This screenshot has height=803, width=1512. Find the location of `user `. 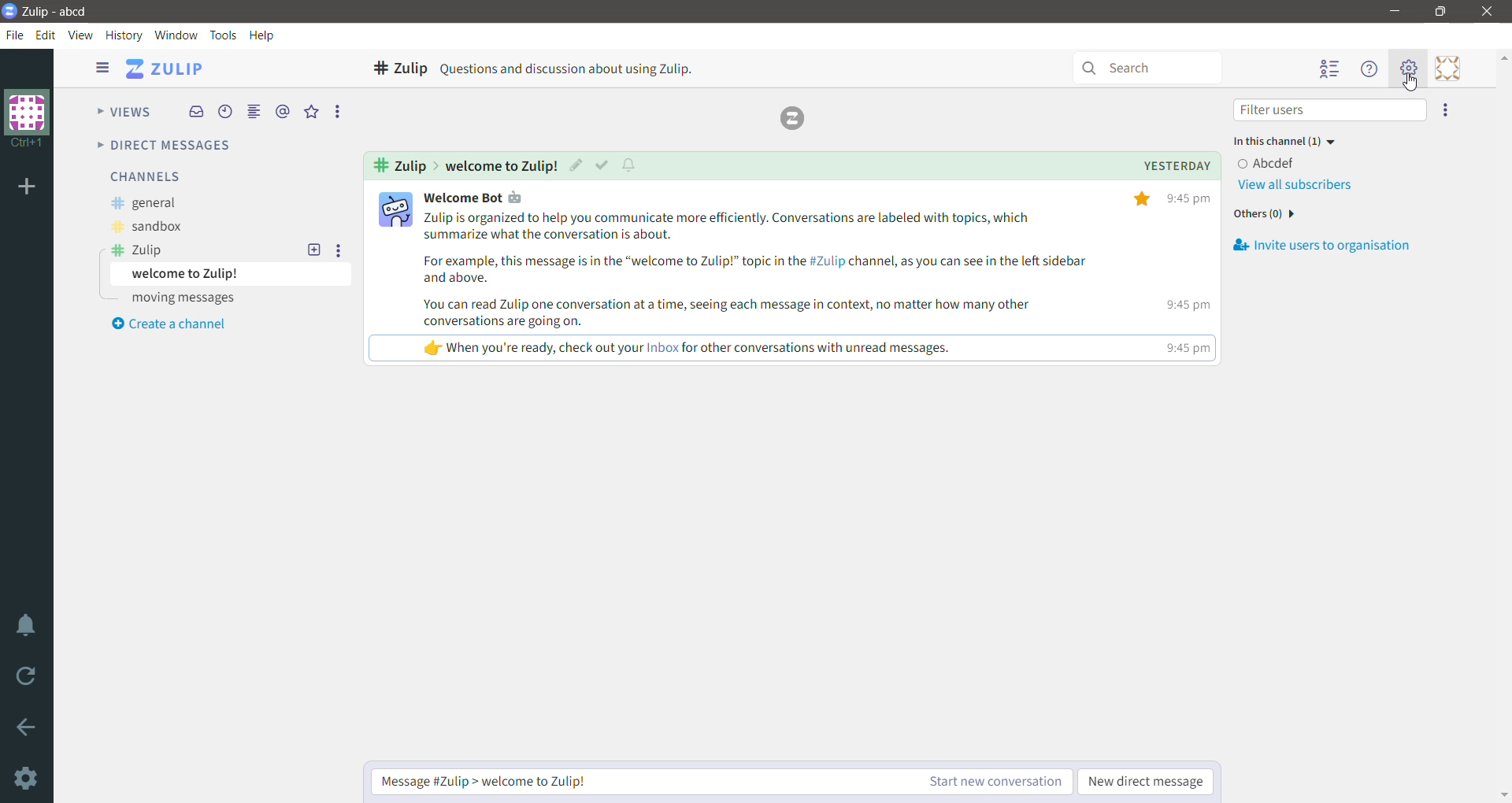

user  is located at coordinates (505, 198).